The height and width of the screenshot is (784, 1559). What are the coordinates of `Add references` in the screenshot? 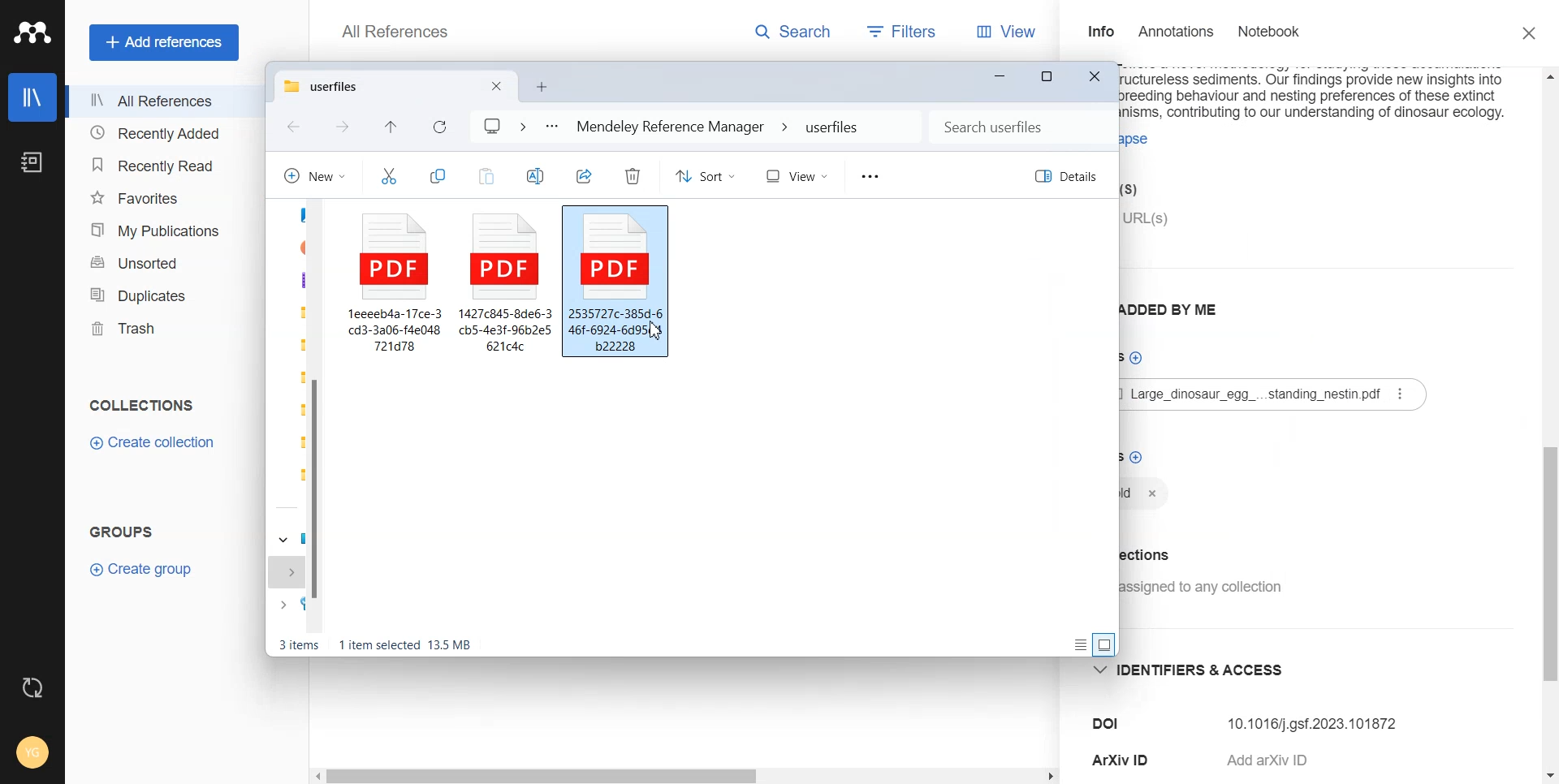 It's located at (165, 43).